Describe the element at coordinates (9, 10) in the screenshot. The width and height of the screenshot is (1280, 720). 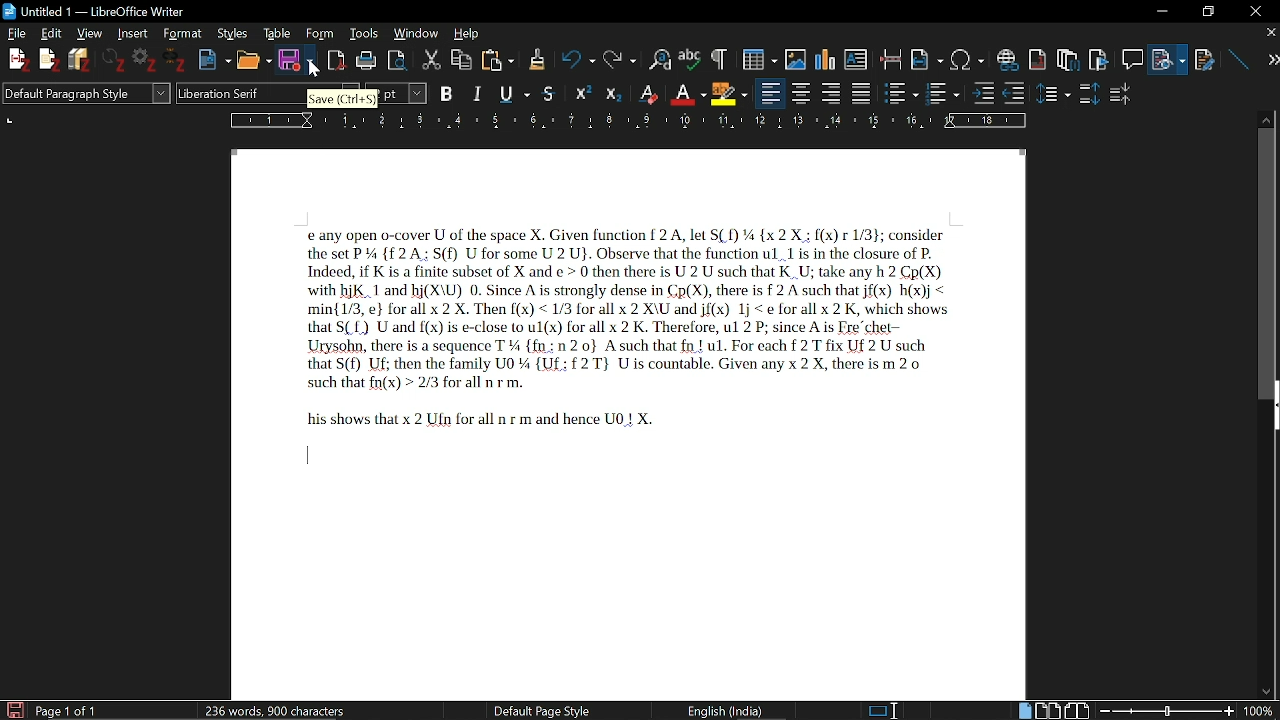
I see `LibewOffice Writer` at that location.